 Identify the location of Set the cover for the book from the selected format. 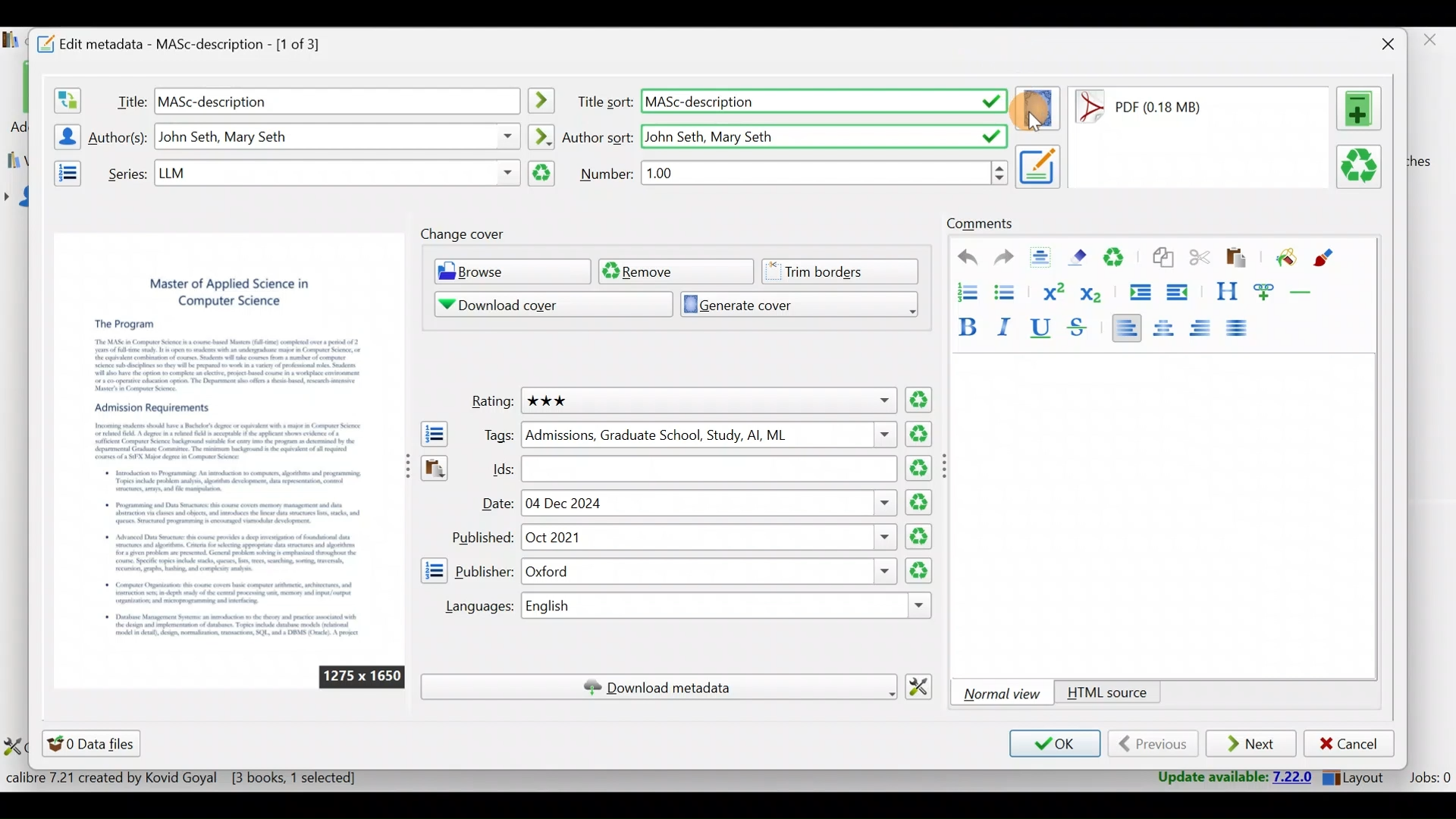
(1038, 101).